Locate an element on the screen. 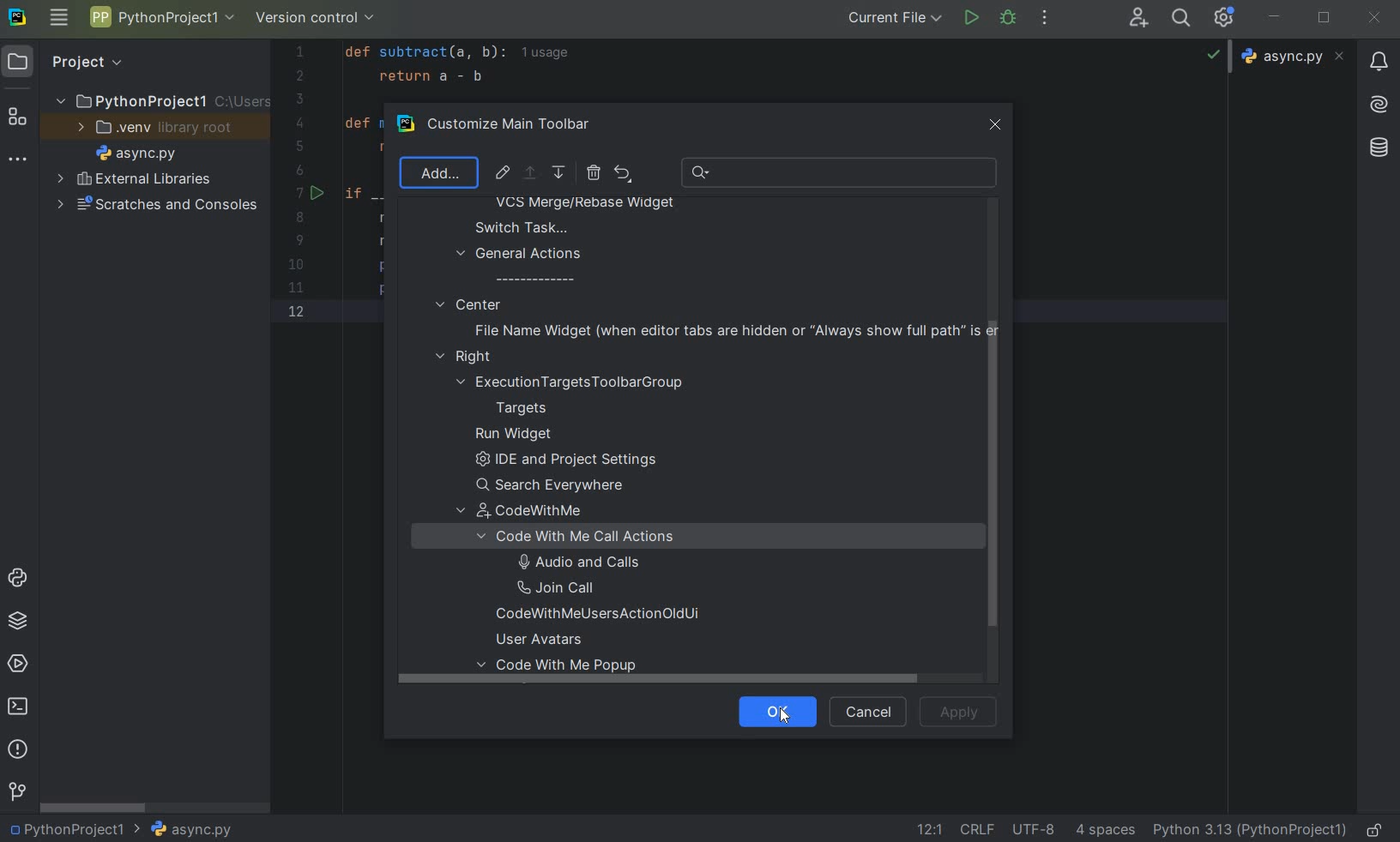  right is located at coordinates (468, 358).